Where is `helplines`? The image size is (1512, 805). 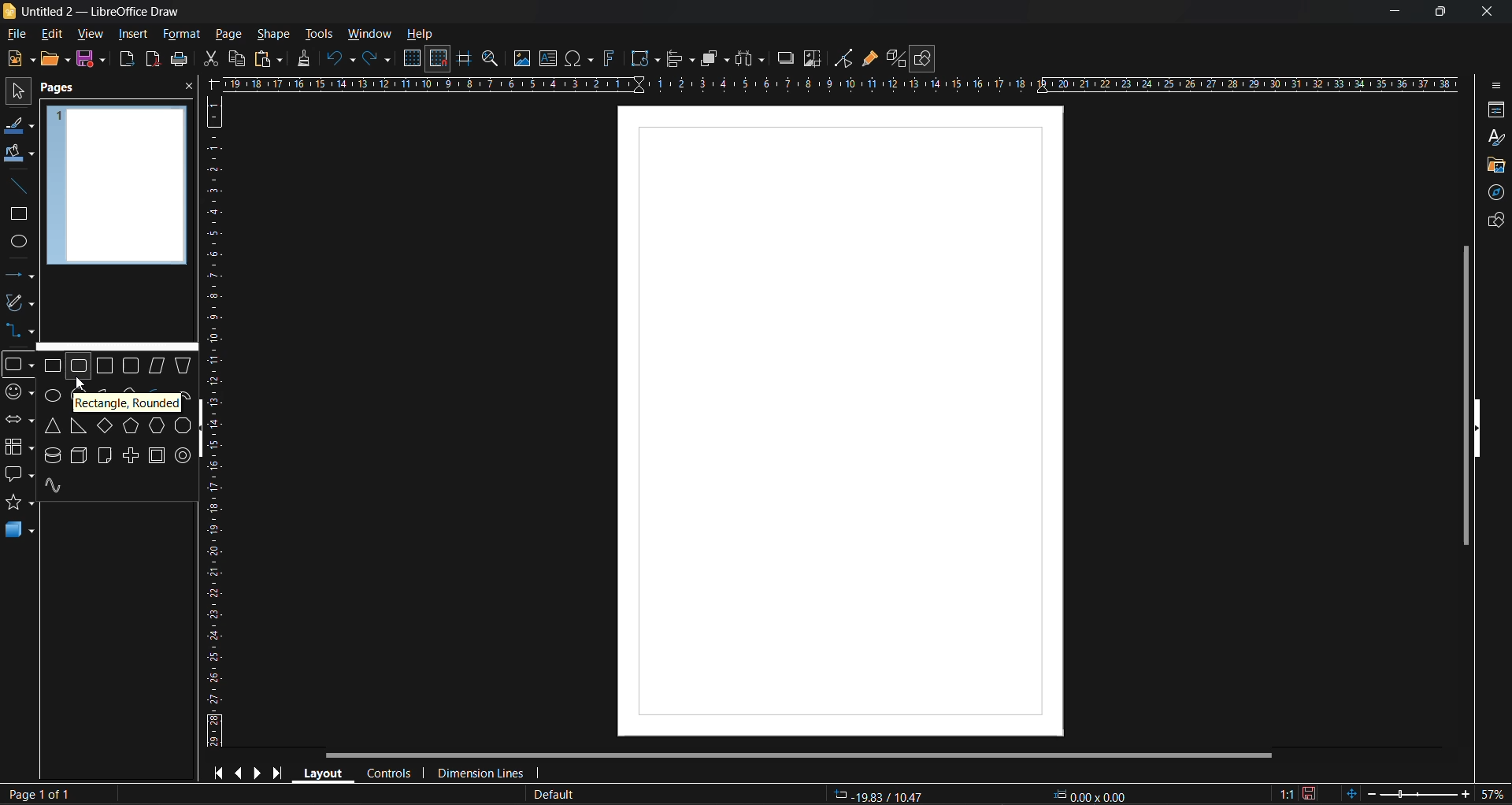 helplines is located at coordinates (462, 59).